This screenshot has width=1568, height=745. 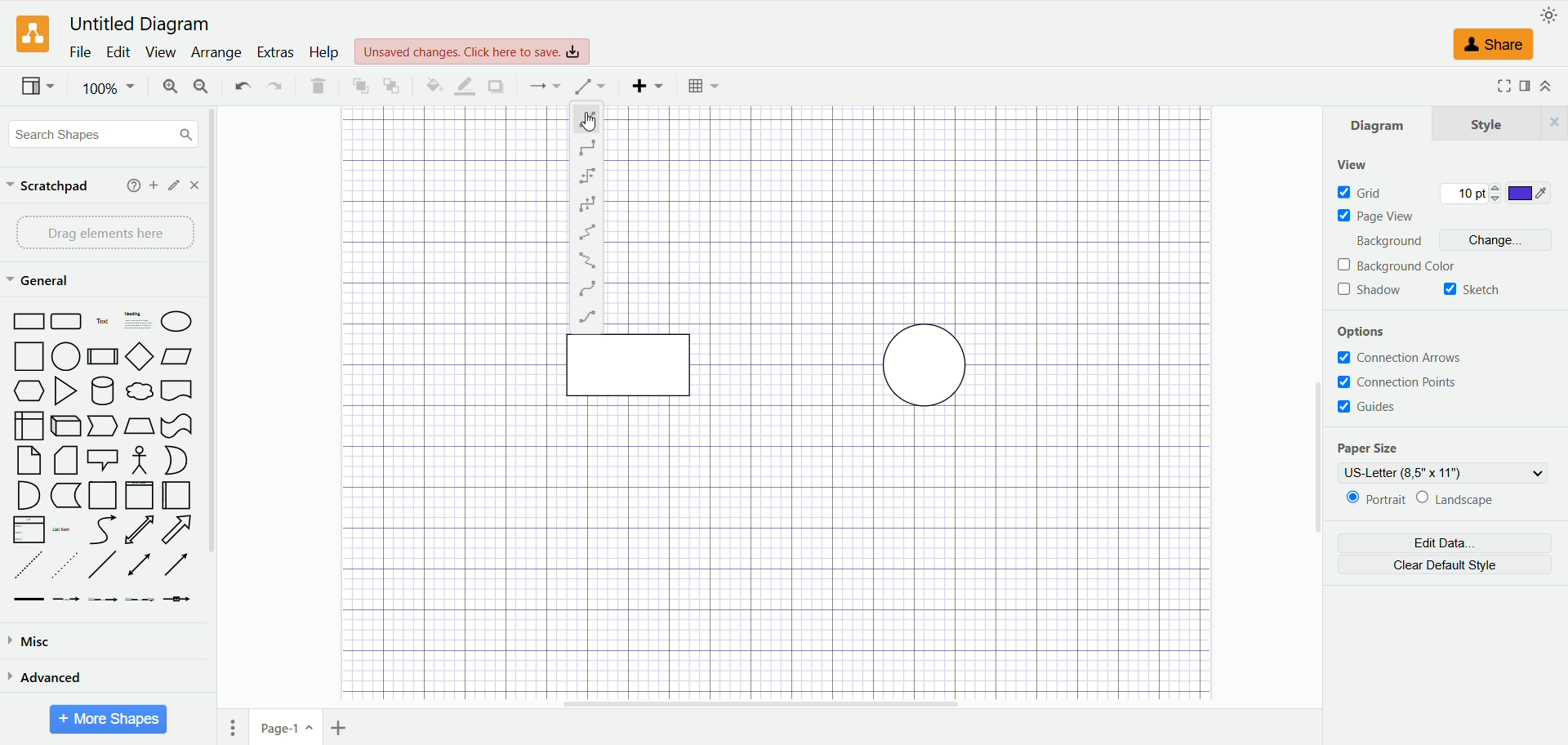 What do you see at coordinates (104, 461) in the screenshot?
I see `Speech Bubble` at bounding box center [104, 461].